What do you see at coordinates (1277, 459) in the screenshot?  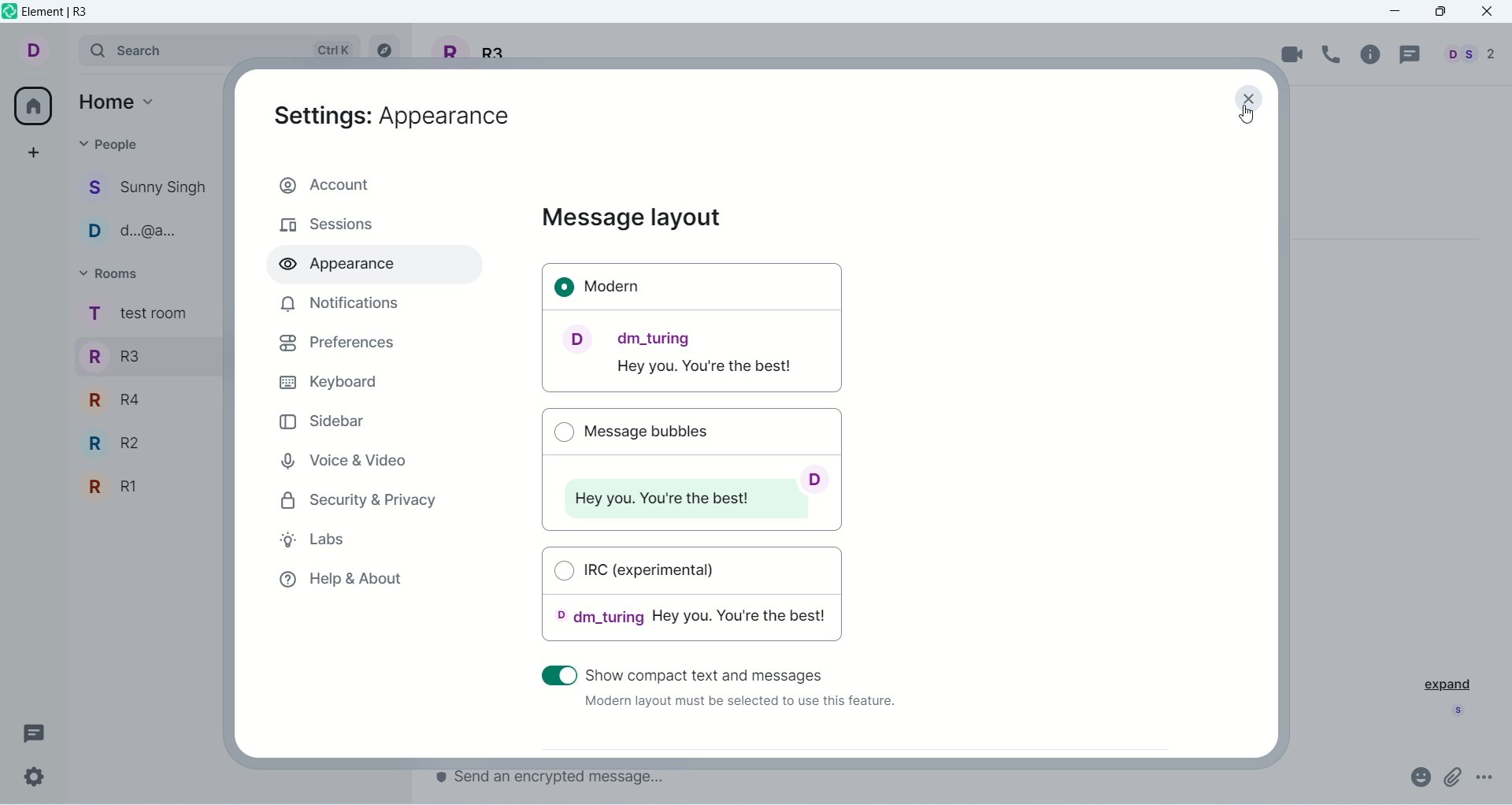 I see `vertical scroll bar` at bounding box center [1277, 459].